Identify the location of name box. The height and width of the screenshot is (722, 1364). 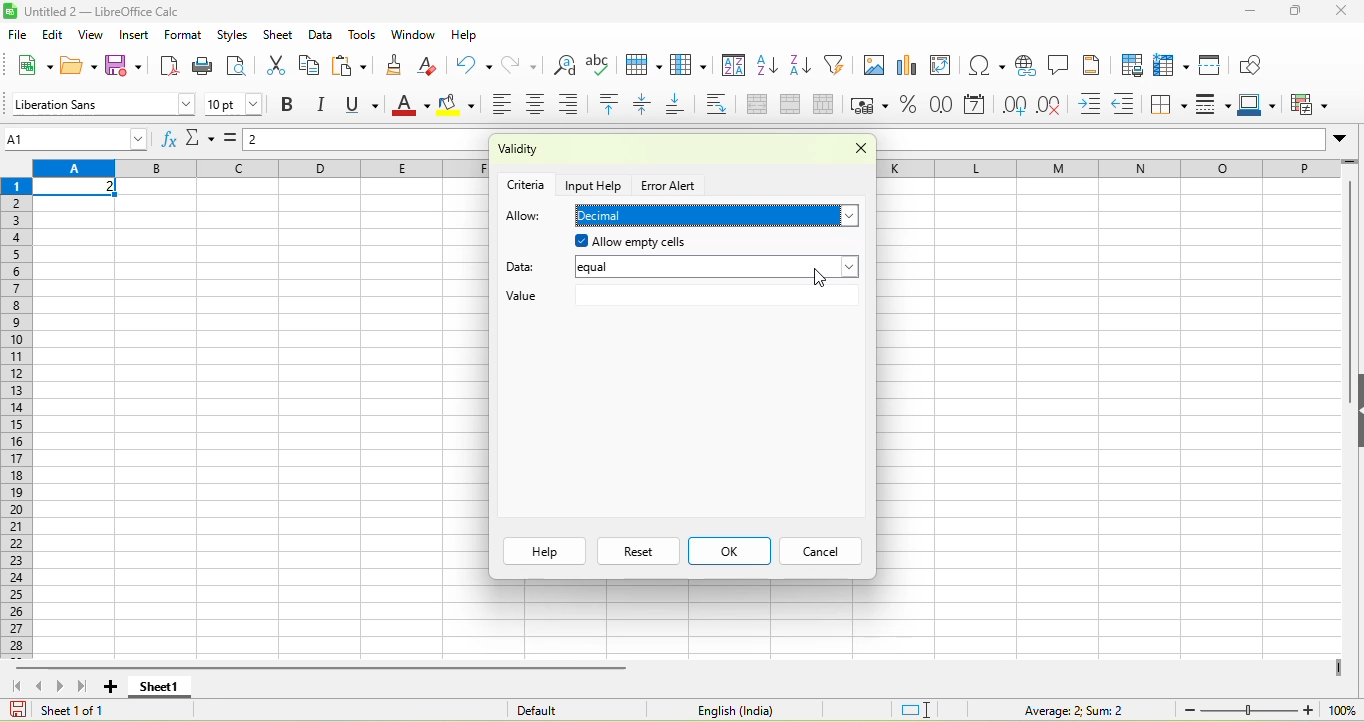
(78, 138).